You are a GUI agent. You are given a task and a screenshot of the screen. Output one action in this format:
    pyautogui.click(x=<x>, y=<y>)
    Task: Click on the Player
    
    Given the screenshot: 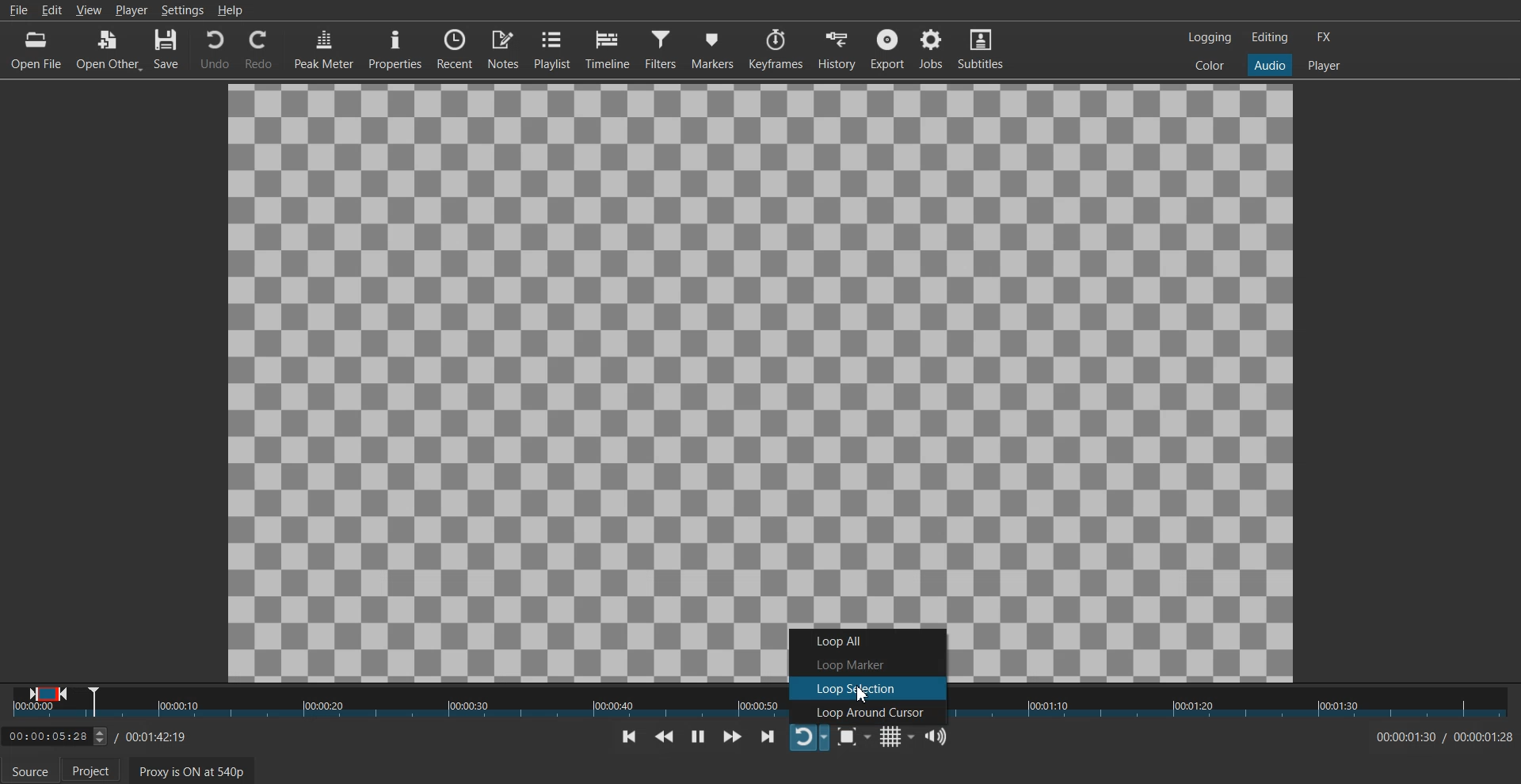 What is the action you would take?
    pyautogui.click(x=1324, y=64)
    